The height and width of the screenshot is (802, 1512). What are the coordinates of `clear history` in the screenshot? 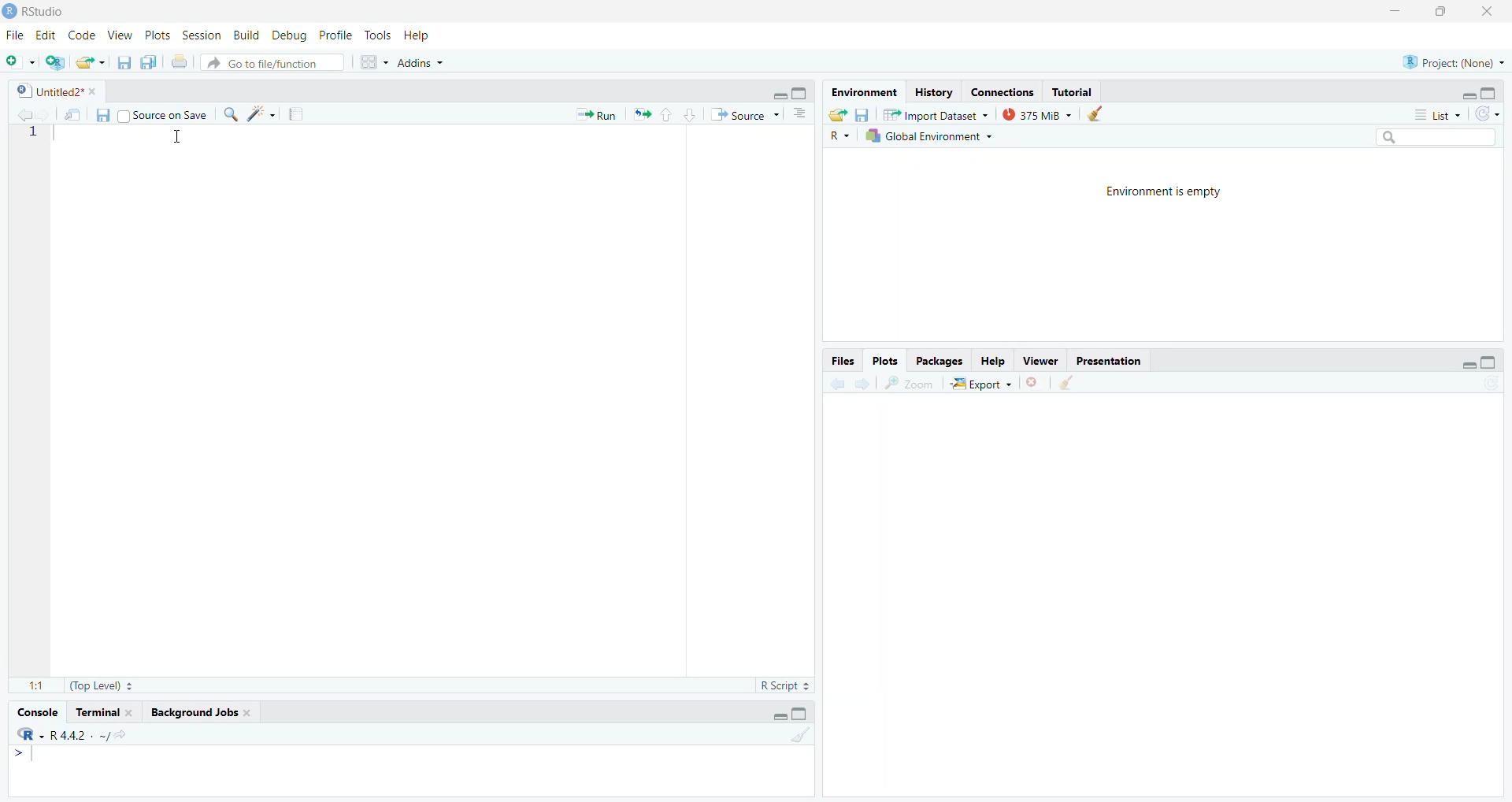 It's located at (1099, 114).